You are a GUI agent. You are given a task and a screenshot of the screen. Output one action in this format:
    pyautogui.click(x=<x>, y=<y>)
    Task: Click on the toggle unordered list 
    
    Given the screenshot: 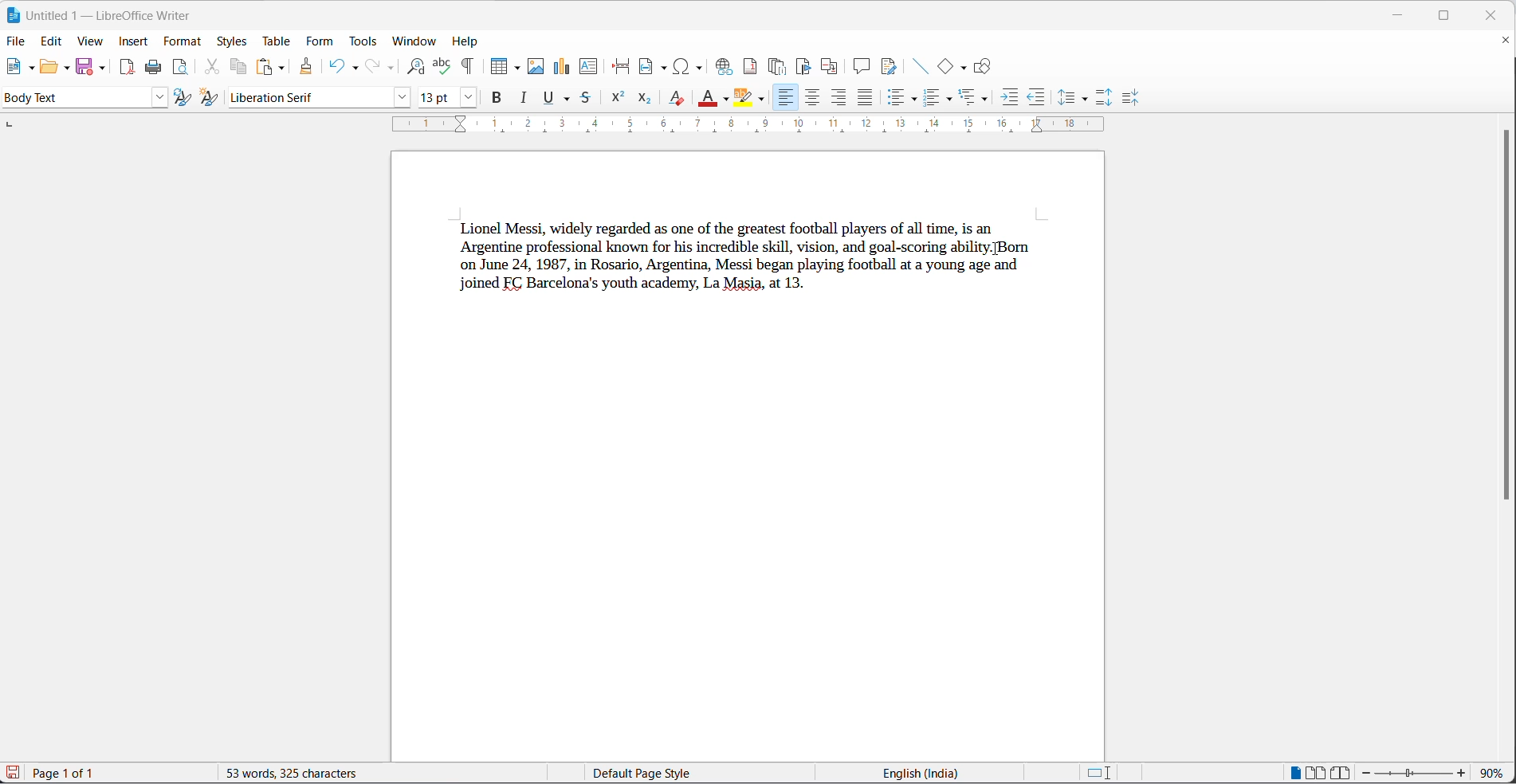 What is the action you would take?
    pyautogui.click(x=895, y=98)
    